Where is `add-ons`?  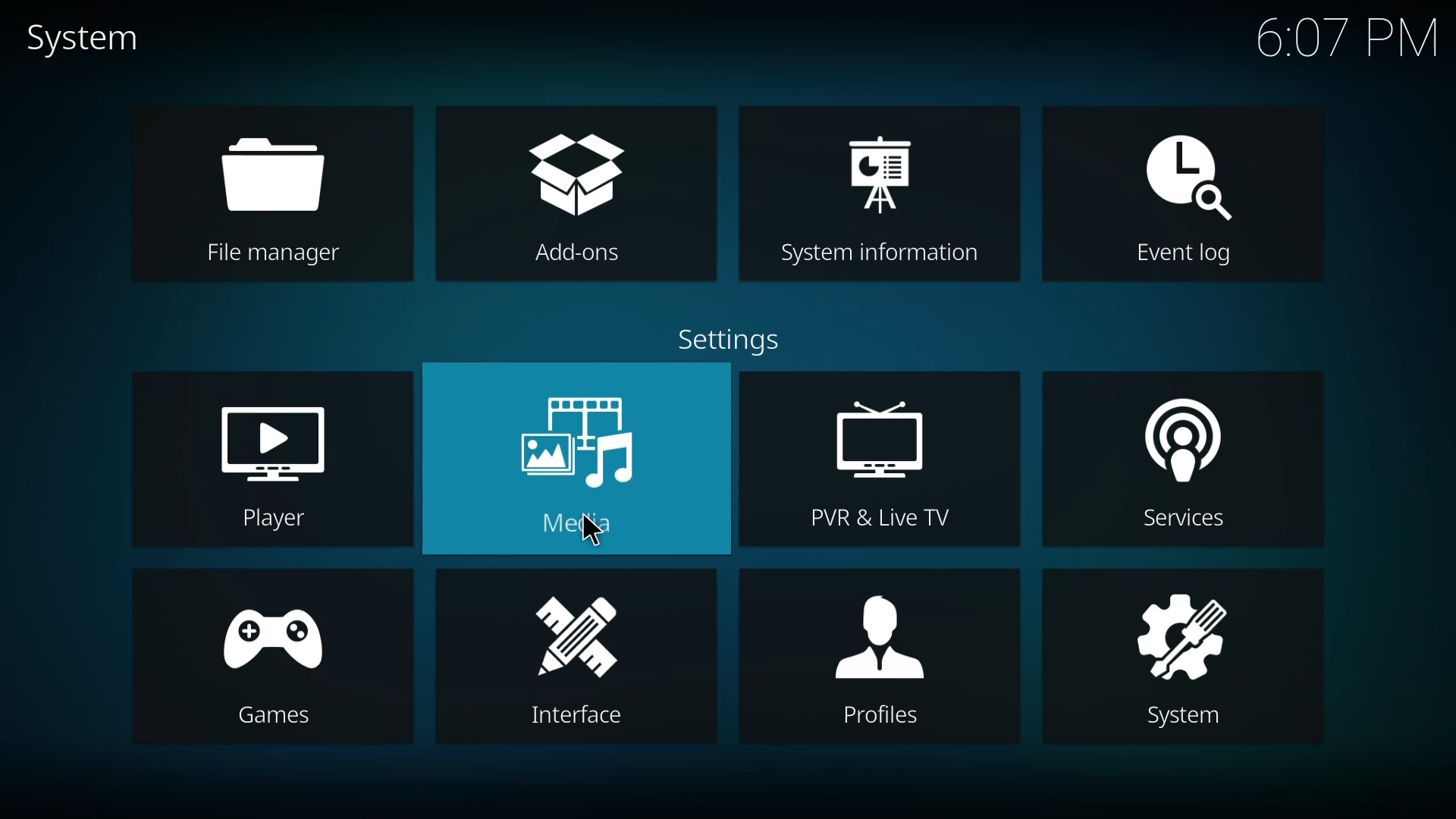
add-ons is located at coordinates (579, 175).